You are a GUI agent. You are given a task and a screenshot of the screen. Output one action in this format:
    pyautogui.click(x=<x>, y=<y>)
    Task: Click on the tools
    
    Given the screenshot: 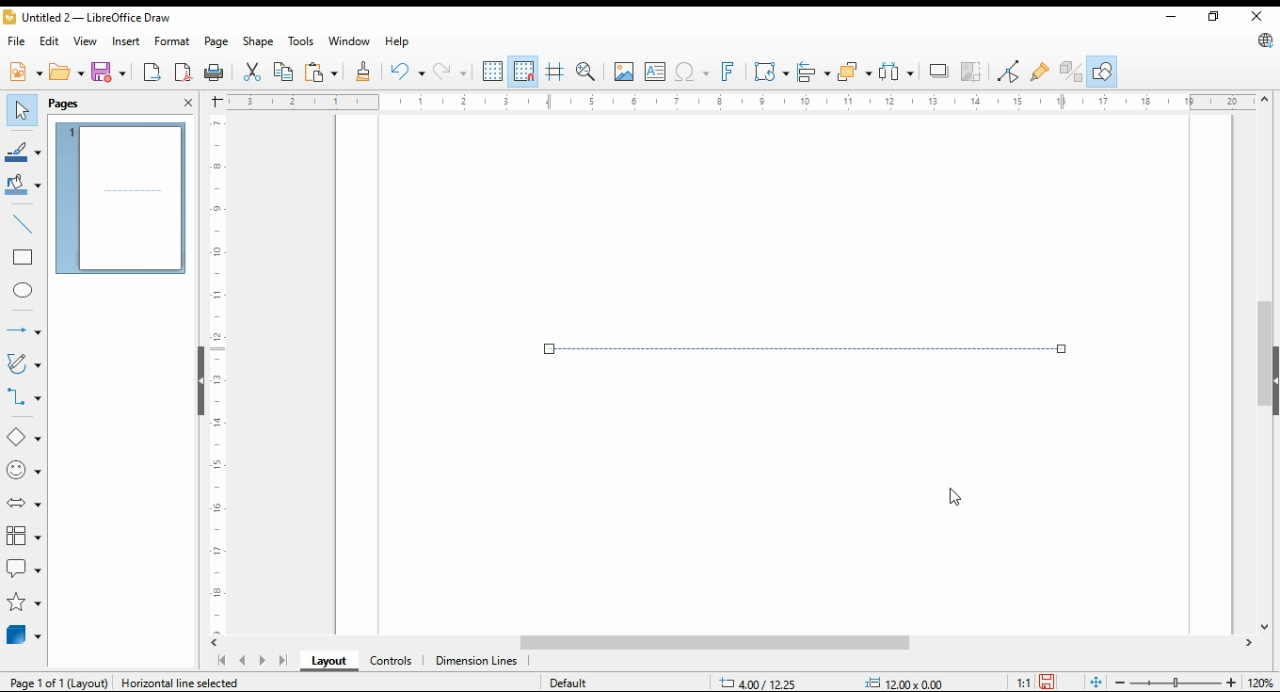 What is the action you would take?
    pyautogui.click(x=300, y=41)
    